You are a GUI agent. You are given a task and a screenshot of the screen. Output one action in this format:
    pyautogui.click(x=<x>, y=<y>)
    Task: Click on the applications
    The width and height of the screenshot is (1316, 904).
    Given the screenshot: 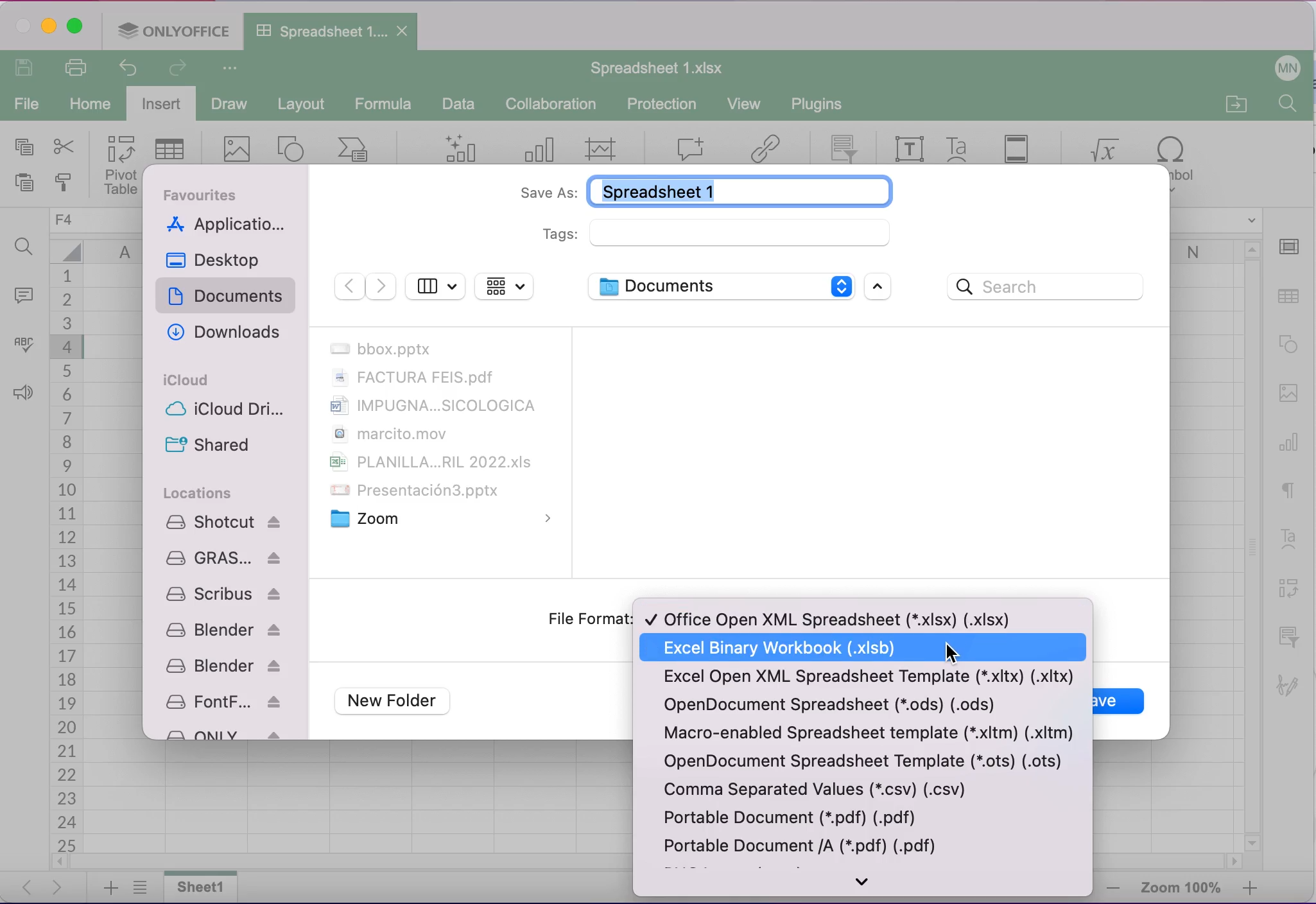 What is the action you would take?
    pyautogui.click(x=229, y=226)
    